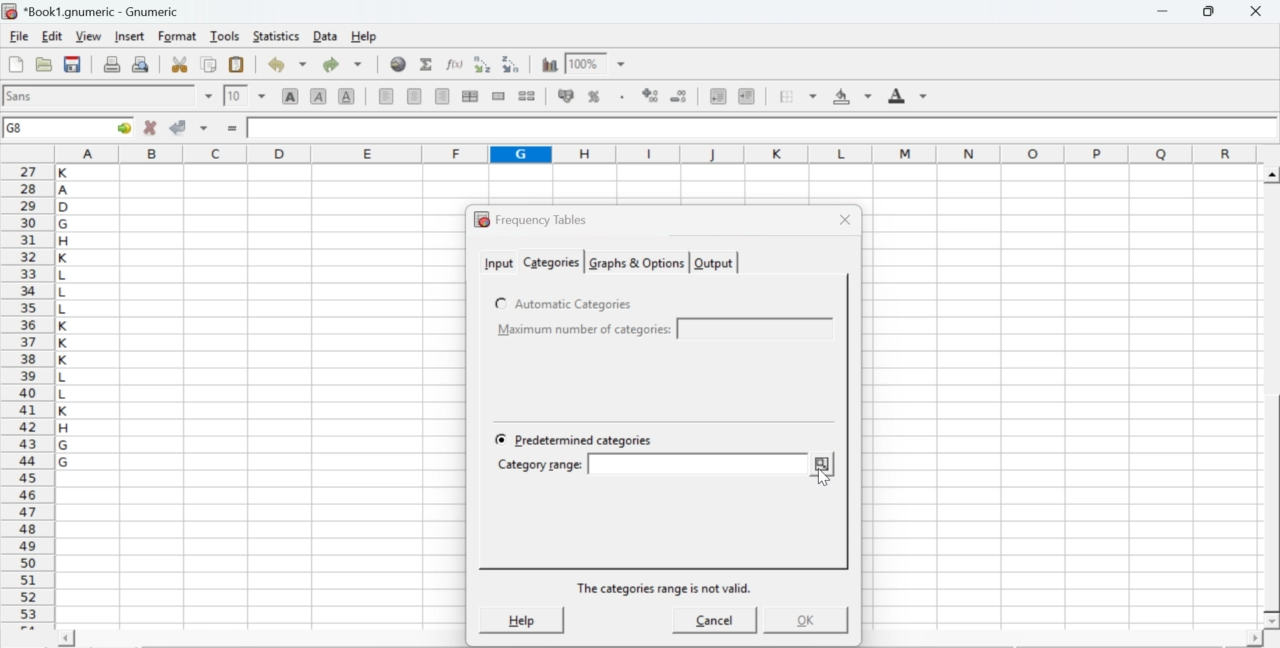  I want to click on accept changes, so click(179, 126).